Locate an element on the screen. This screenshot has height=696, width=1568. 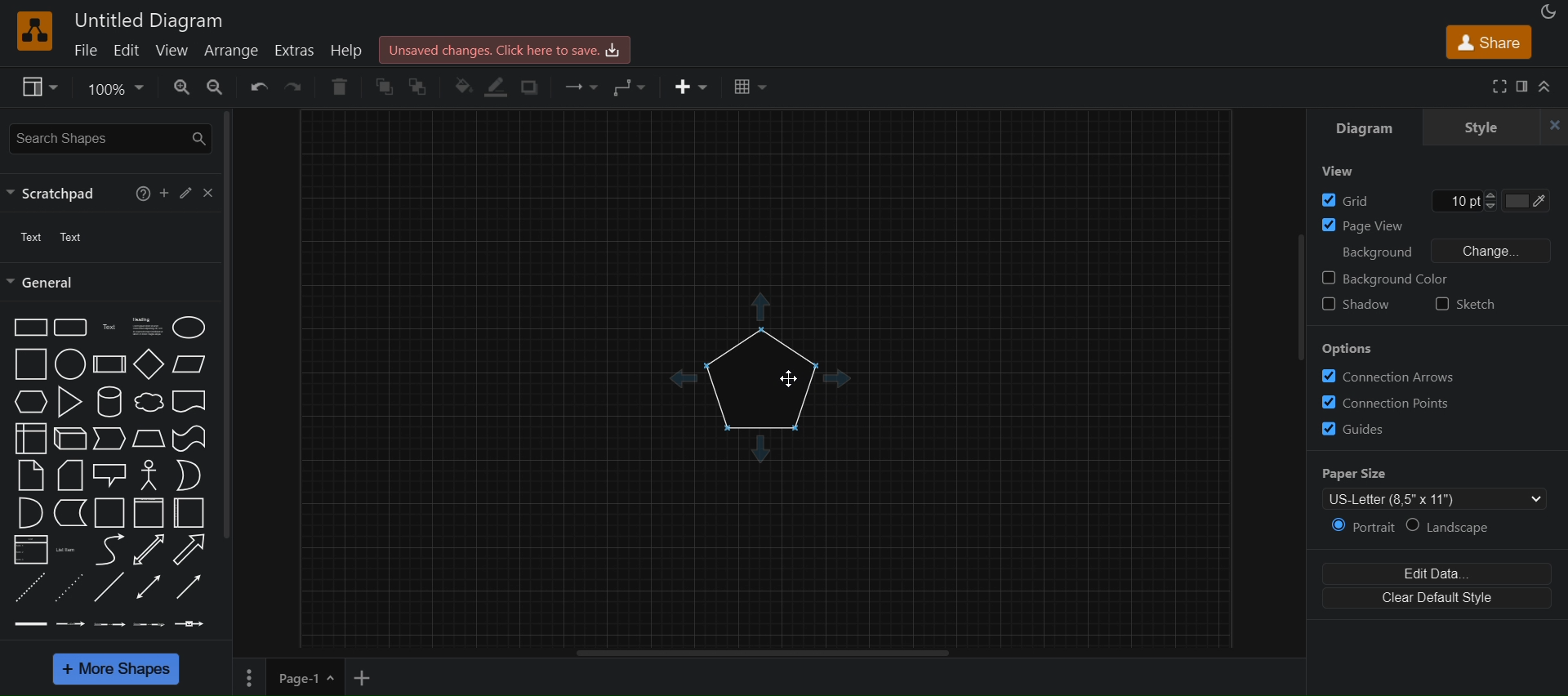
Change is located at coordinates (1490, 251).